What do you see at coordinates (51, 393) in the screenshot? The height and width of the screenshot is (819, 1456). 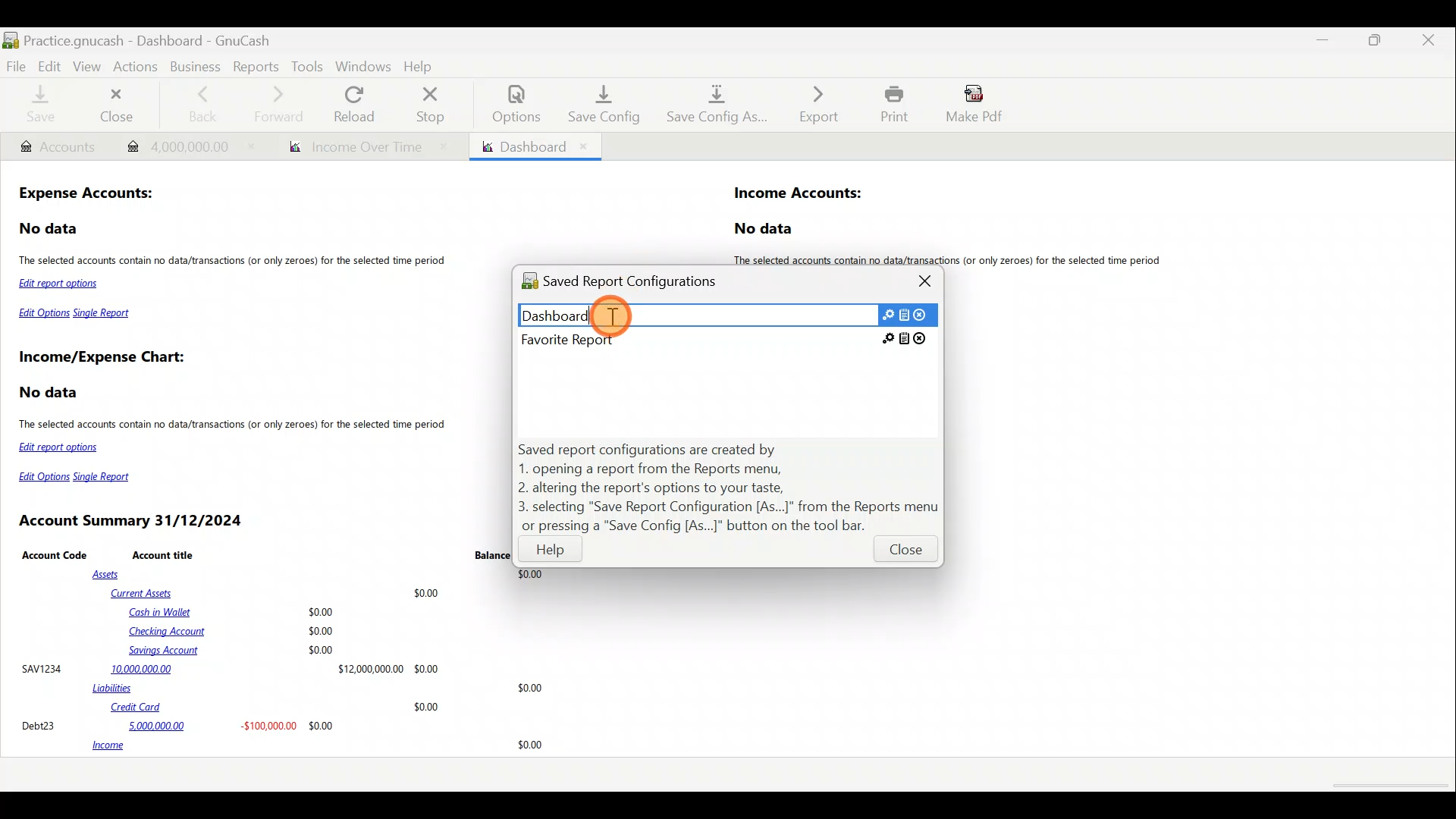 I see `No data` at bounding box center [51, 393].